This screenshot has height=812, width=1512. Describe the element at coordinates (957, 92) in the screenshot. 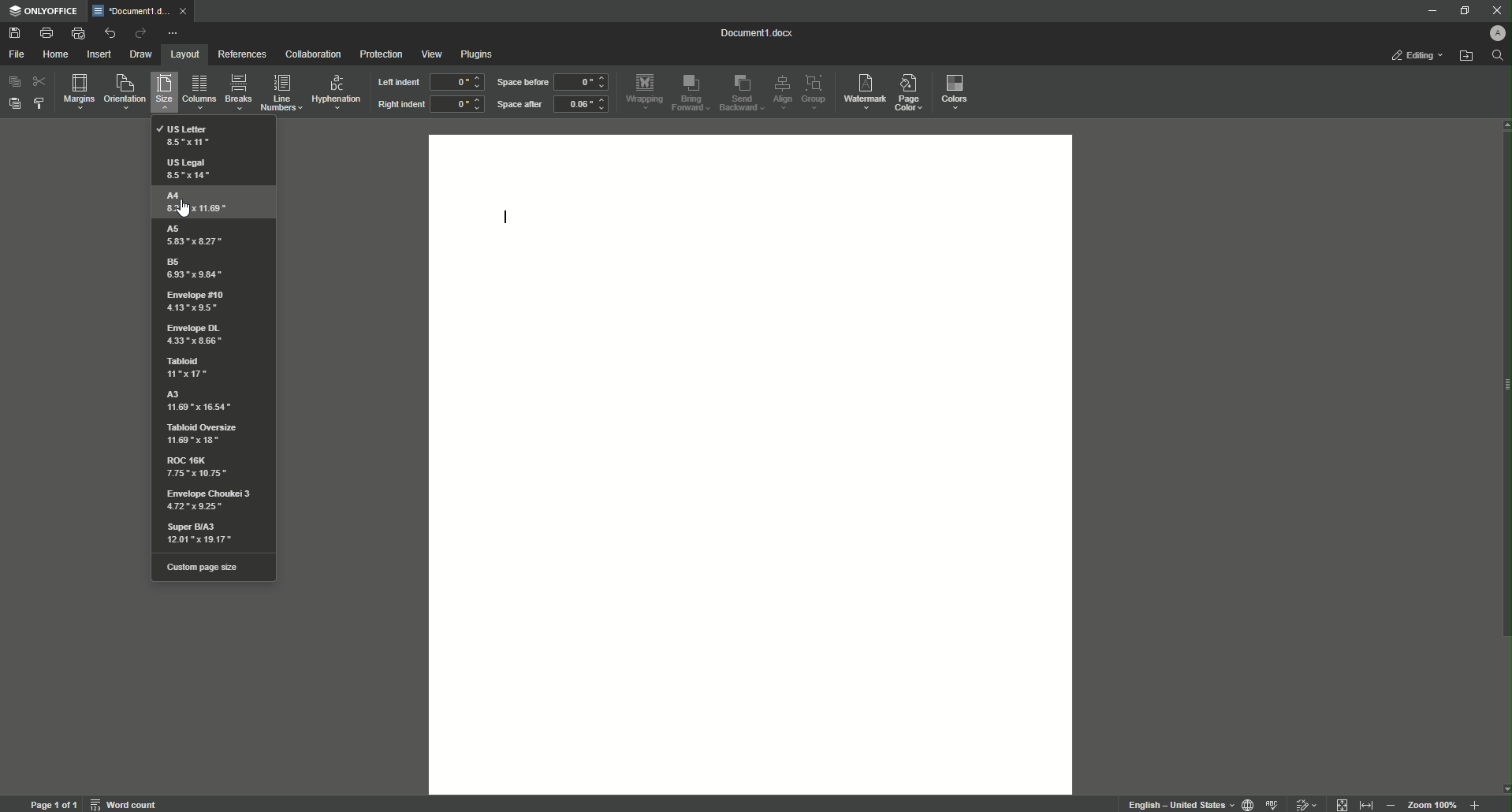

I see `Colors` at that location.